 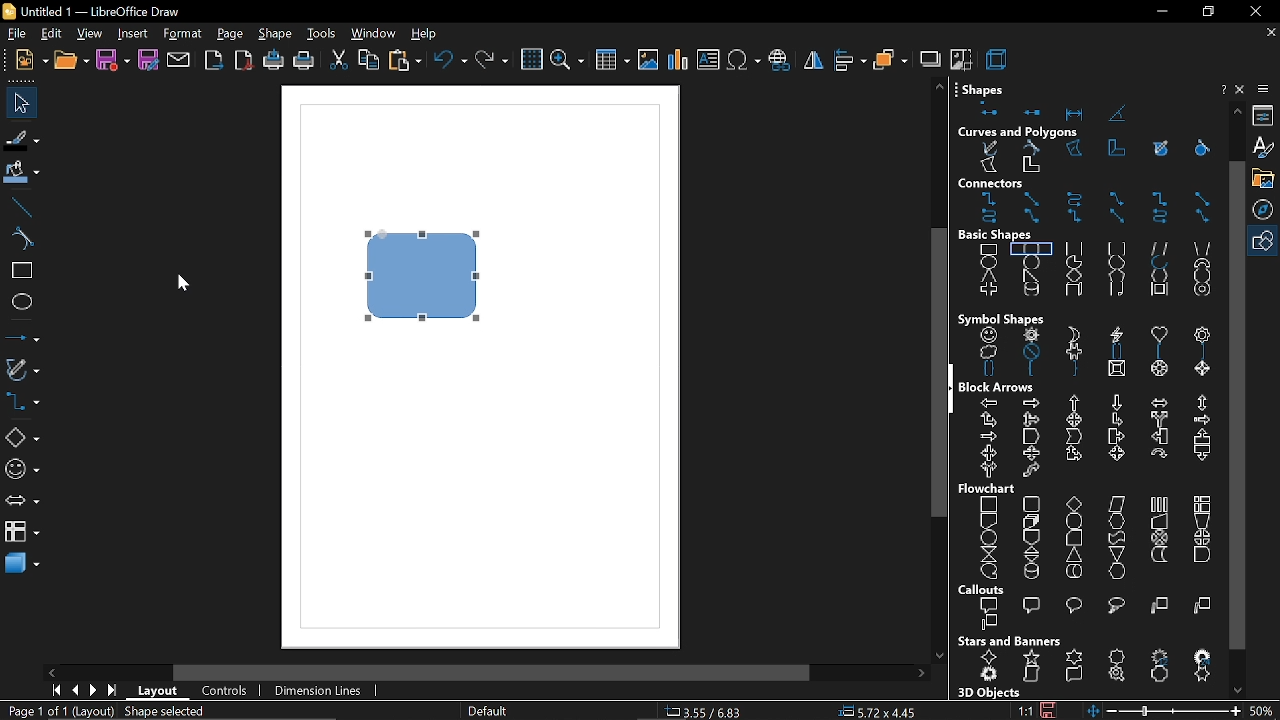 What do you see at coordinates (1160, 13) in the screenshot?
I see `minimize` at bounding box center [1160, 13].